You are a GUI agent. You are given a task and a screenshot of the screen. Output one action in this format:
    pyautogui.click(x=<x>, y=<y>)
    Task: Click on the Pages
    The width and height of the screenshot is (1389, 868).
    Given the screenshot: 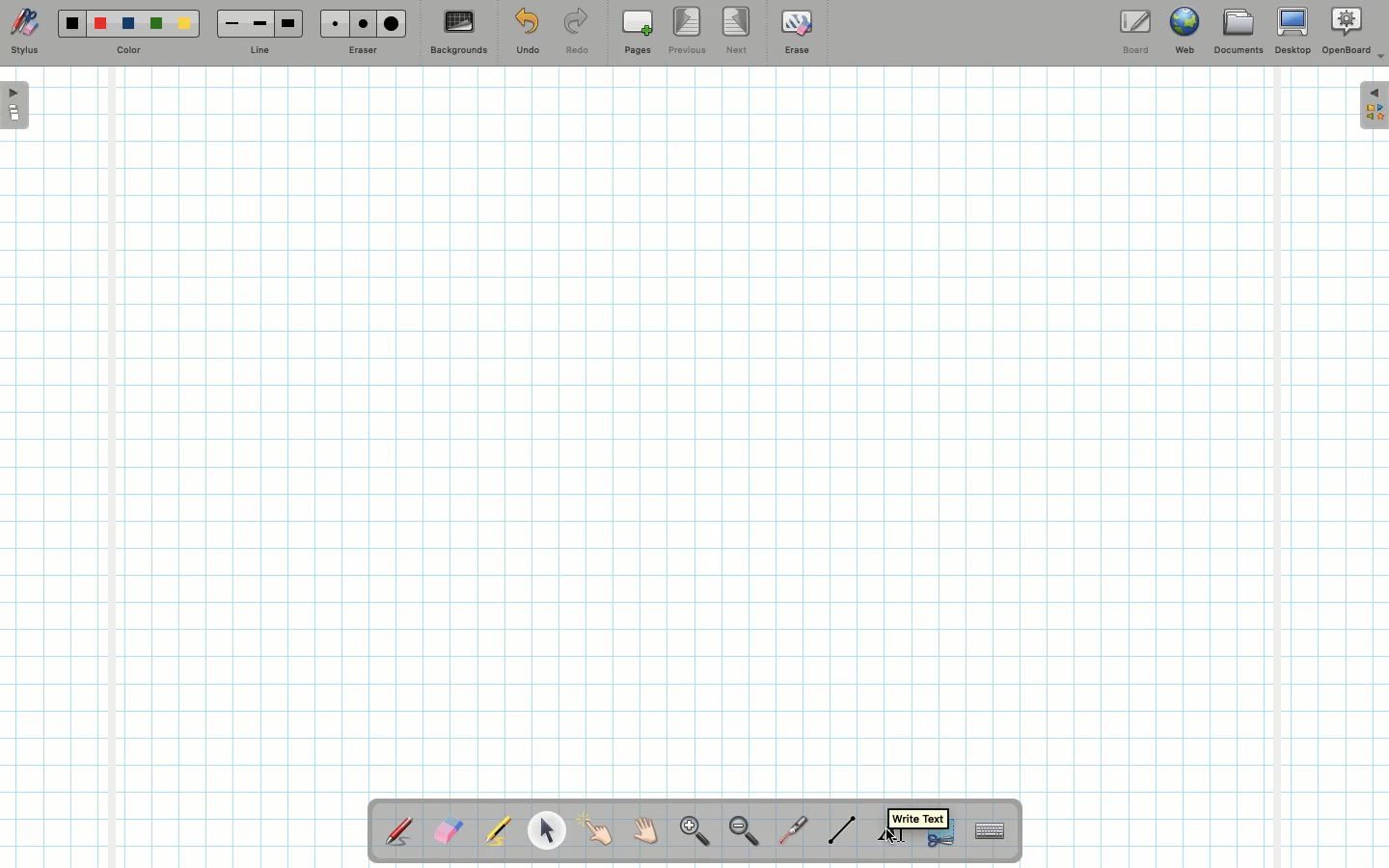 What is the action you would take?
    pyautogui.click(x=638, y=34)
    